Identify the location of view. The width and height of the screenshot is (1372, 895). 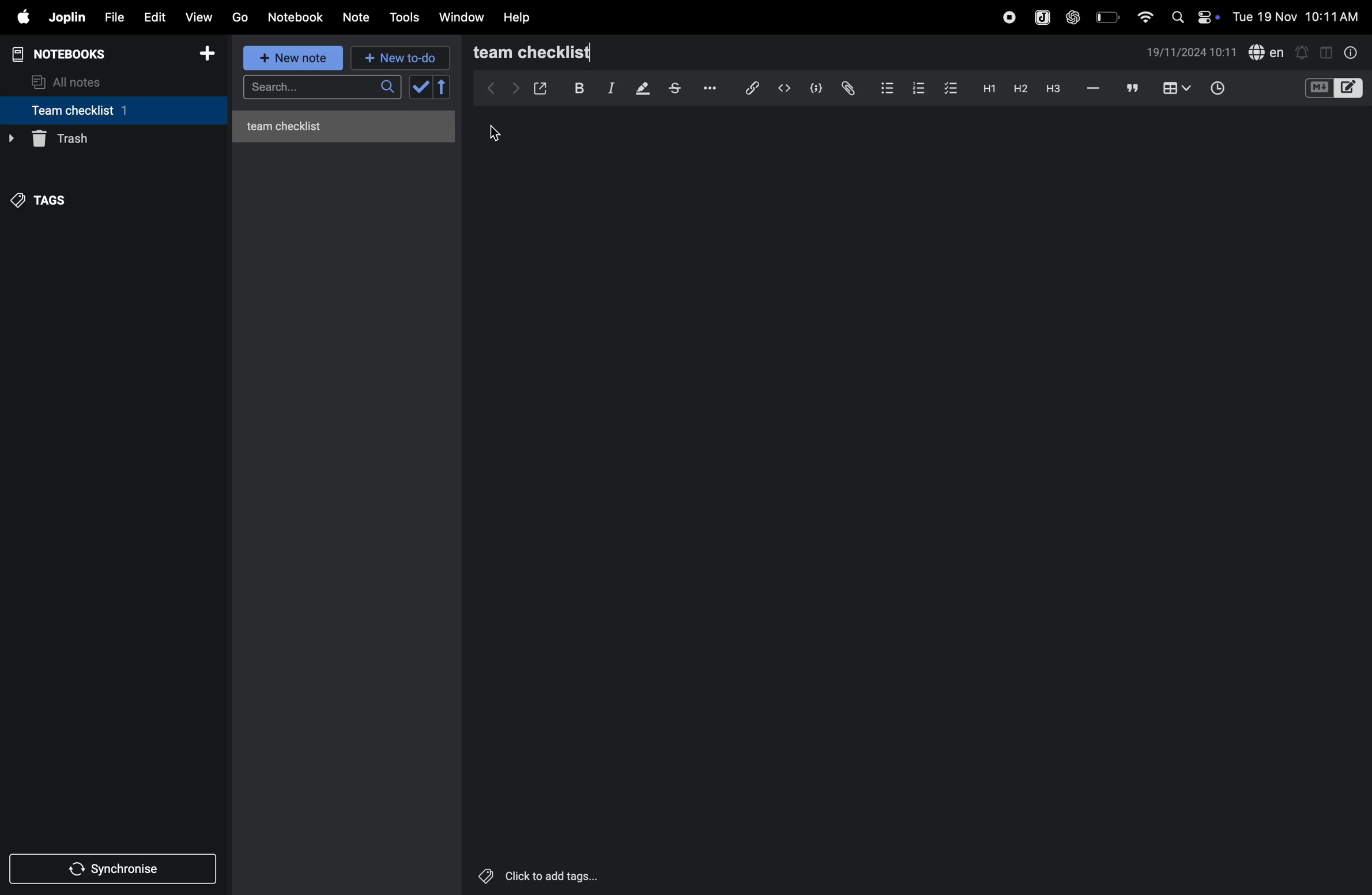
(201, 16).